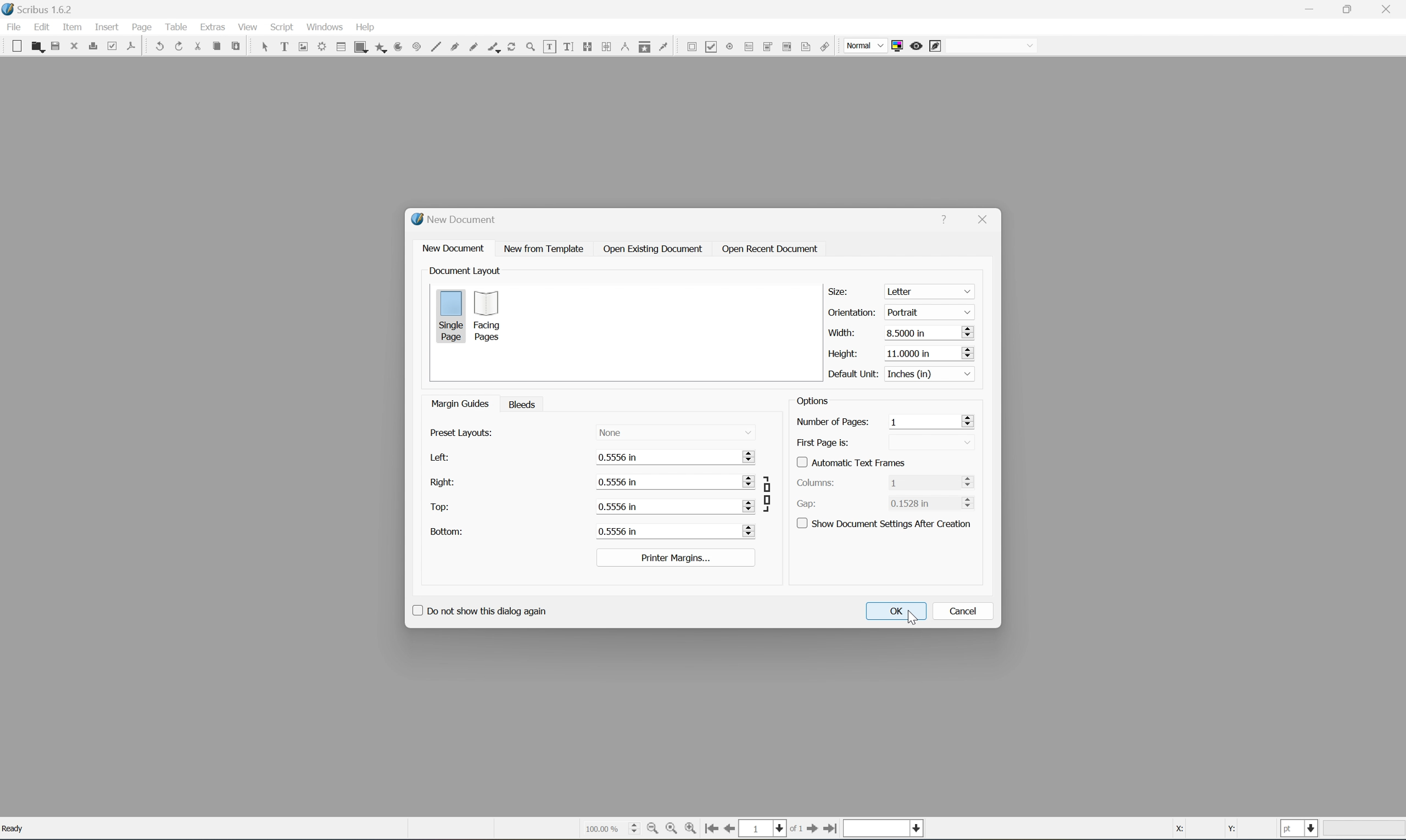 This screenshot has width=1406, height=840. I want to click on extras, so click(212, 27).